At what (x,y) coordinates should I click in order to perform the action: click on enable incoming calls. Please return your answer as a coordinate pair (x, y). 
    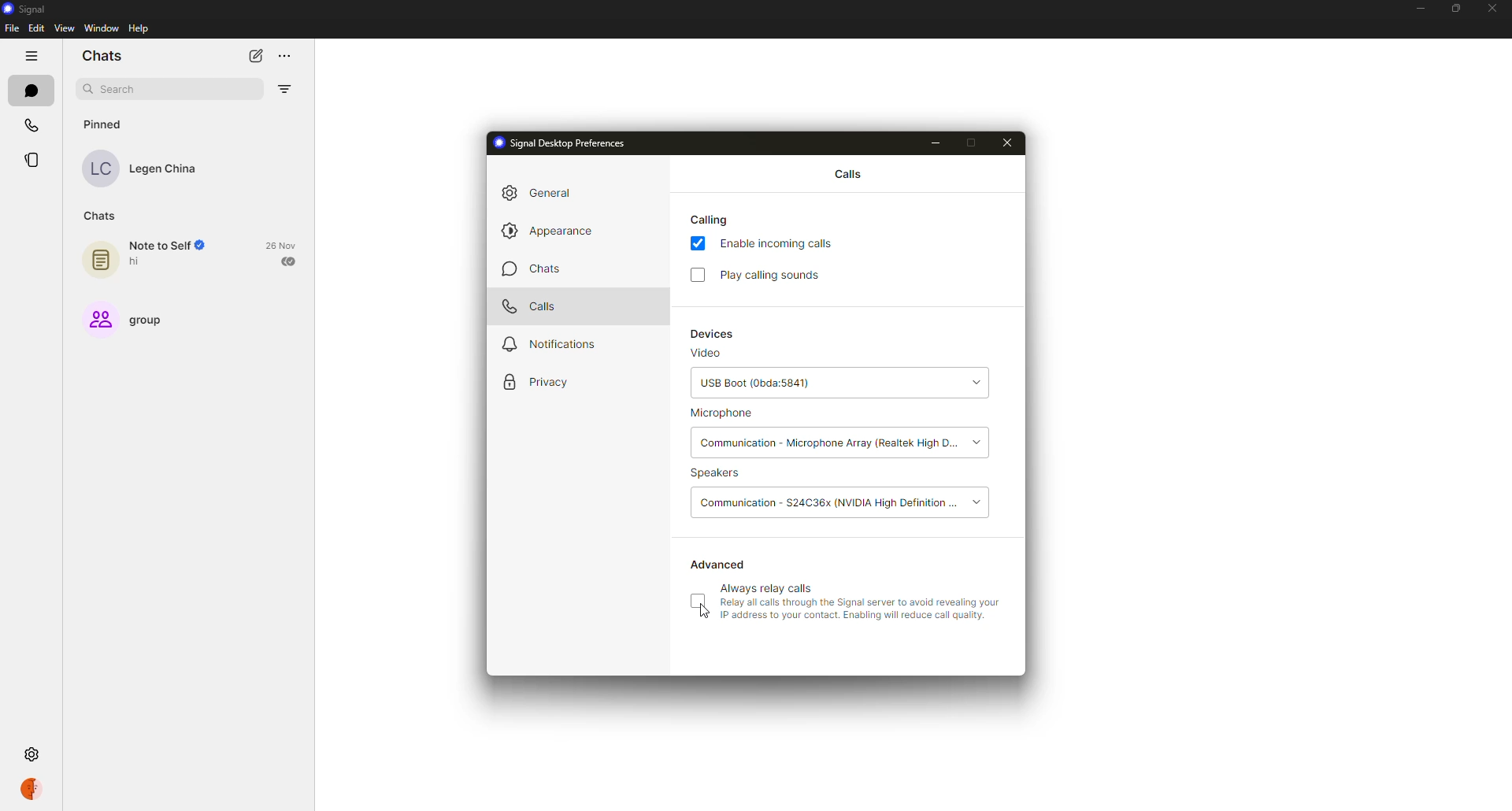
    Looking at the image, I should click on (780, 243).